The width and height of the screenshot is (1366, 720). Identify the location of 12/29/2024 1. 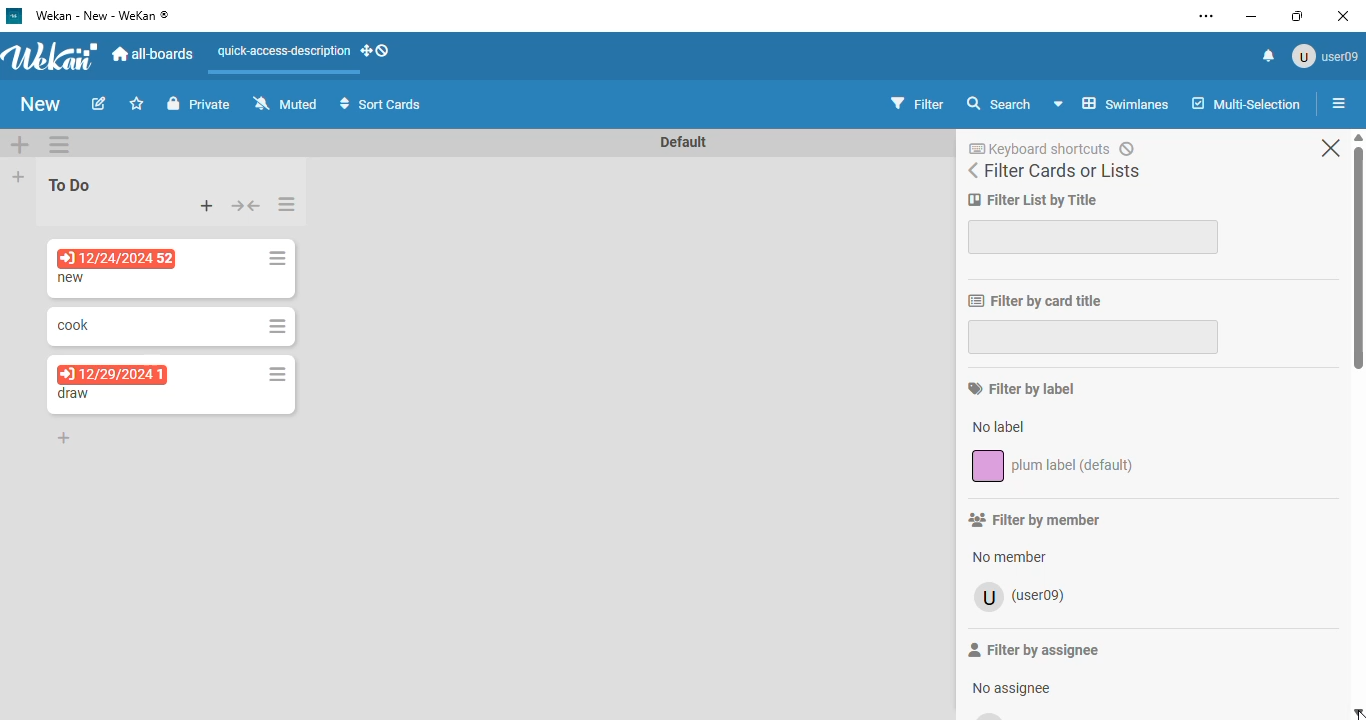
(111, 372).